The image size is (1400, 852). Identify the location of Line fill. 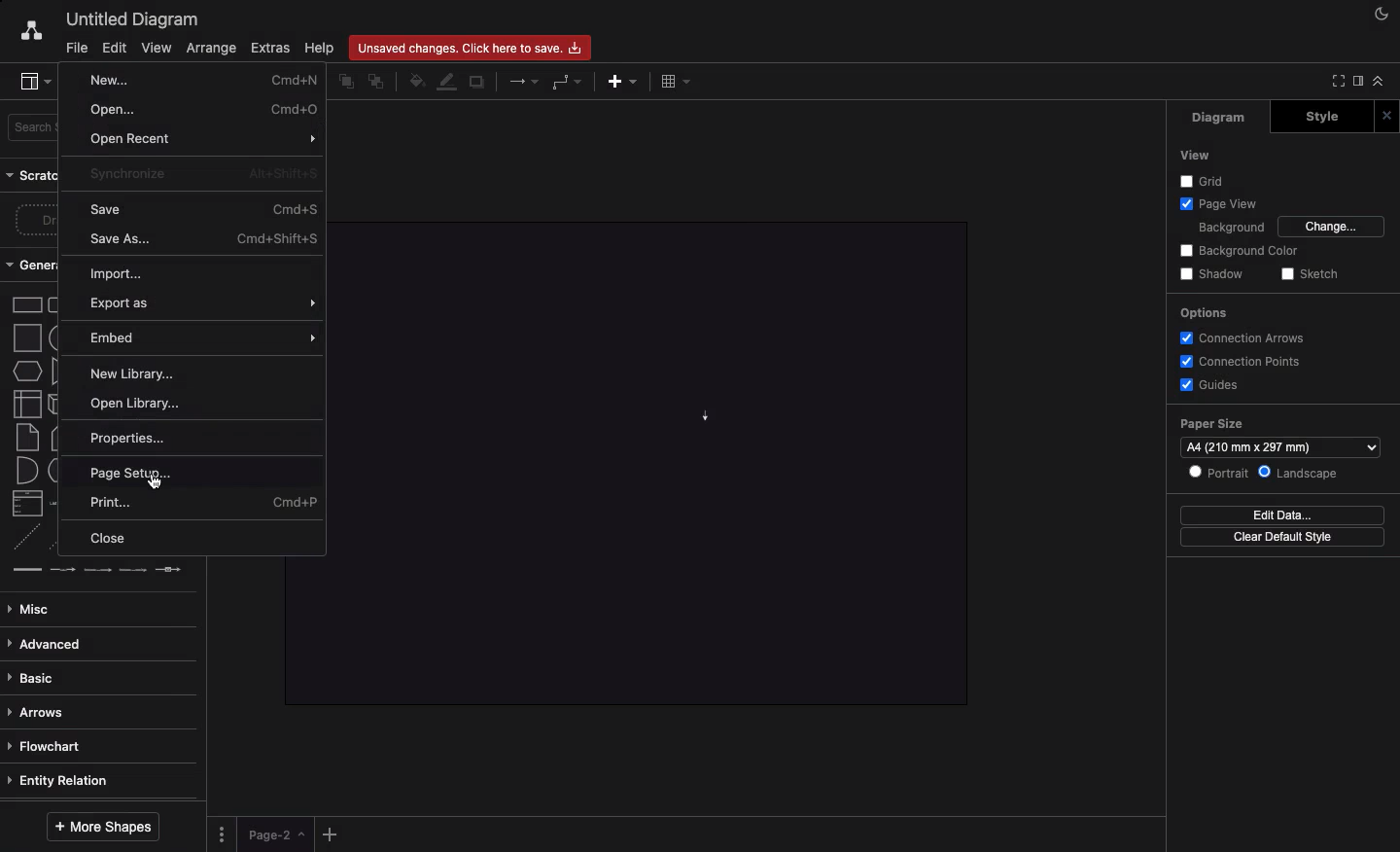
(448, 83).